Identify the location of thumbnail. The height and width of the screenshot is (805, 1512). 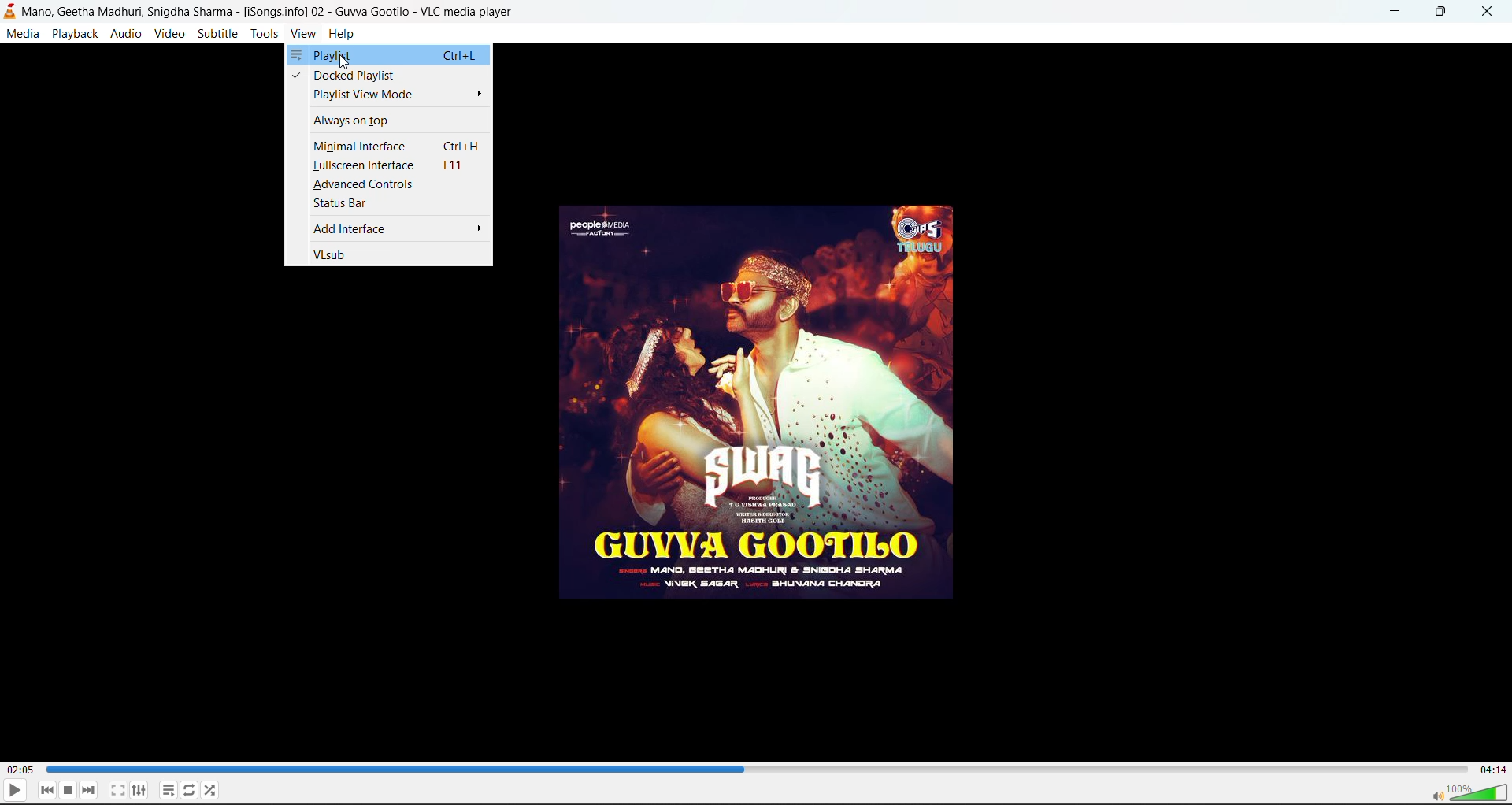
(761, 406).